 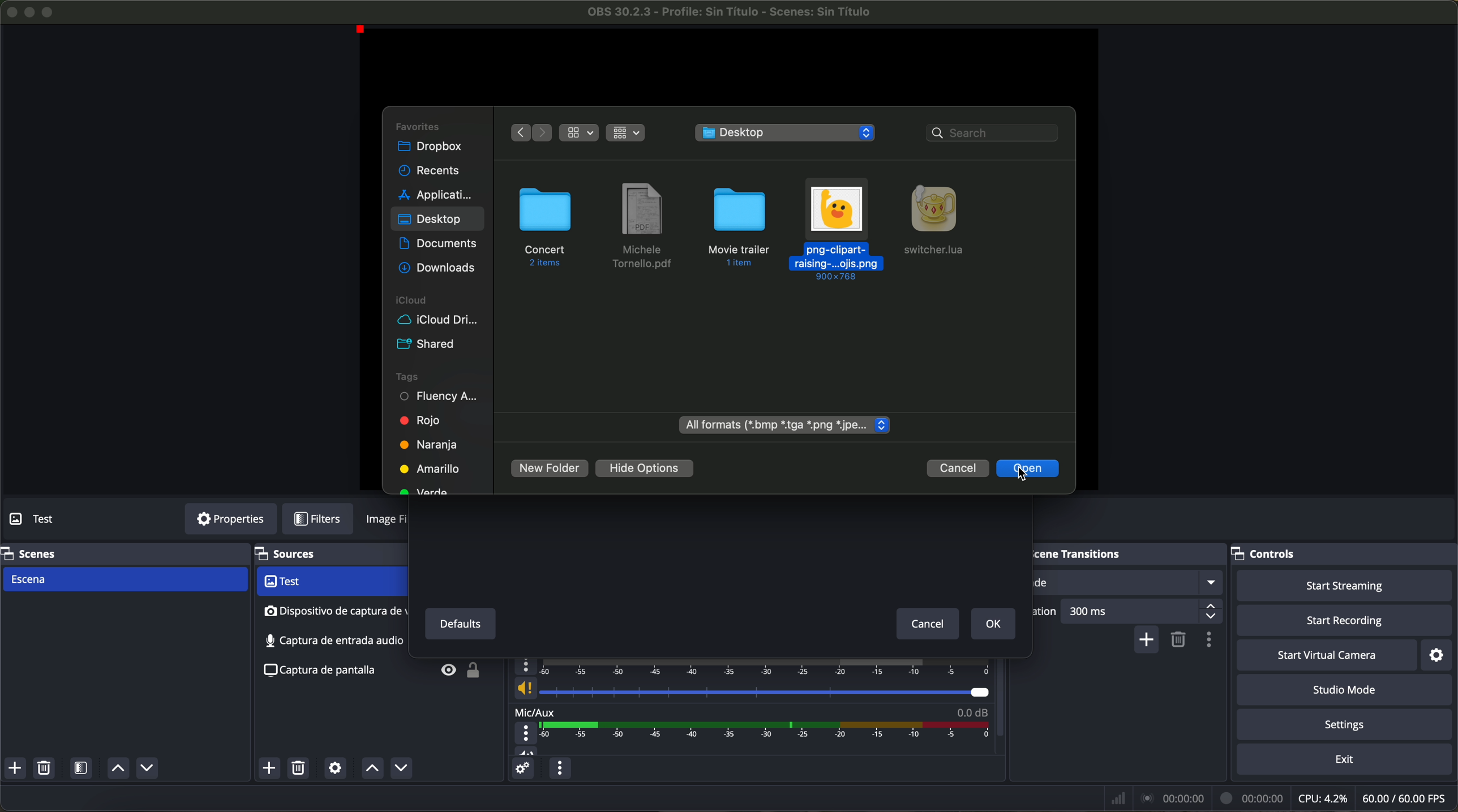 I want to click on sources, so click(x=300, y=555).